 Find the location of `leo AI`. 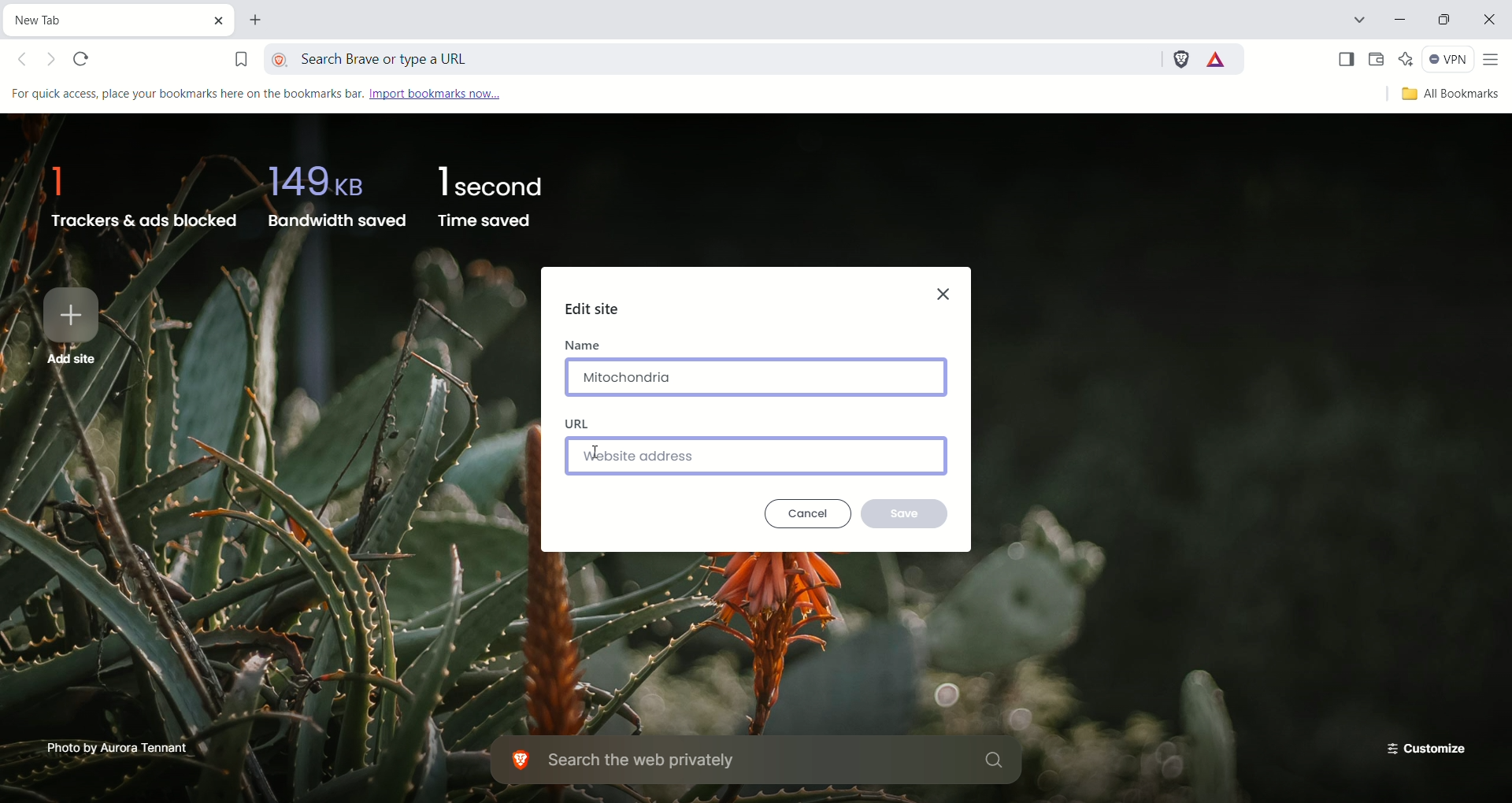

leo AI is located at coordinates (1406, 59).